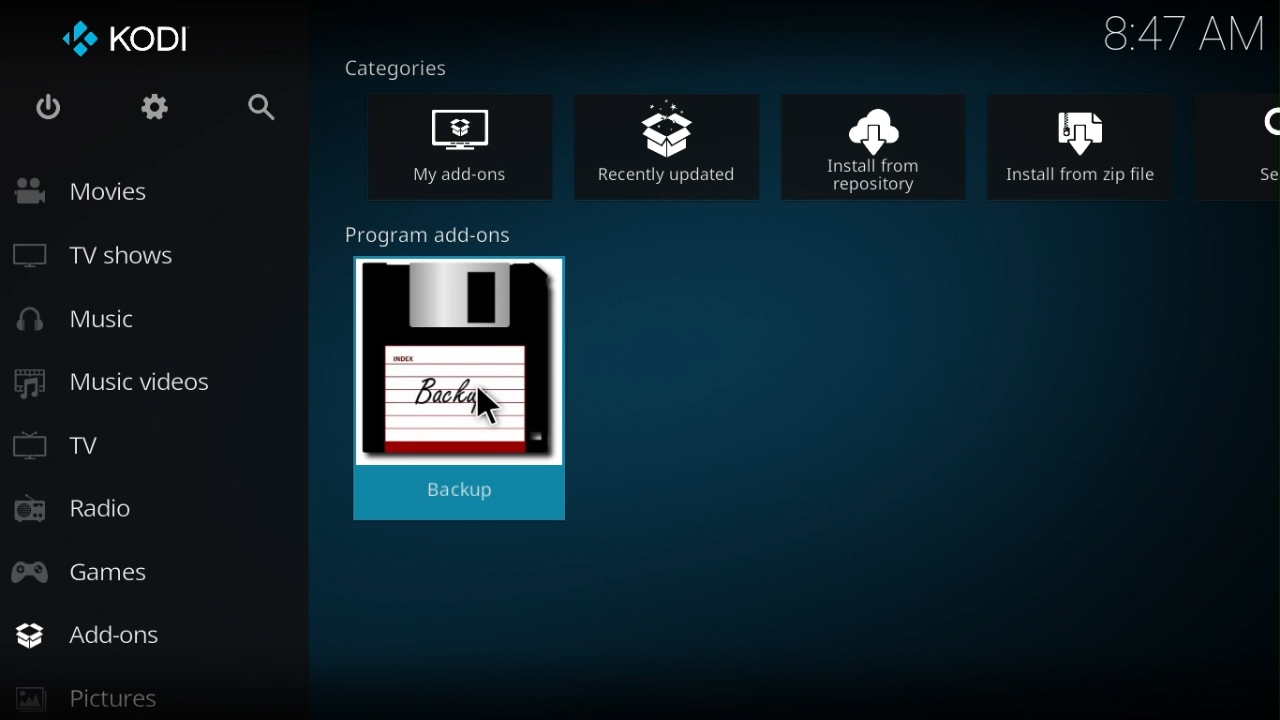 This screenshot has width=1280, height=720. Describe the element at coordinates (71, 442) in the screenshot. I see `TV` at that location.